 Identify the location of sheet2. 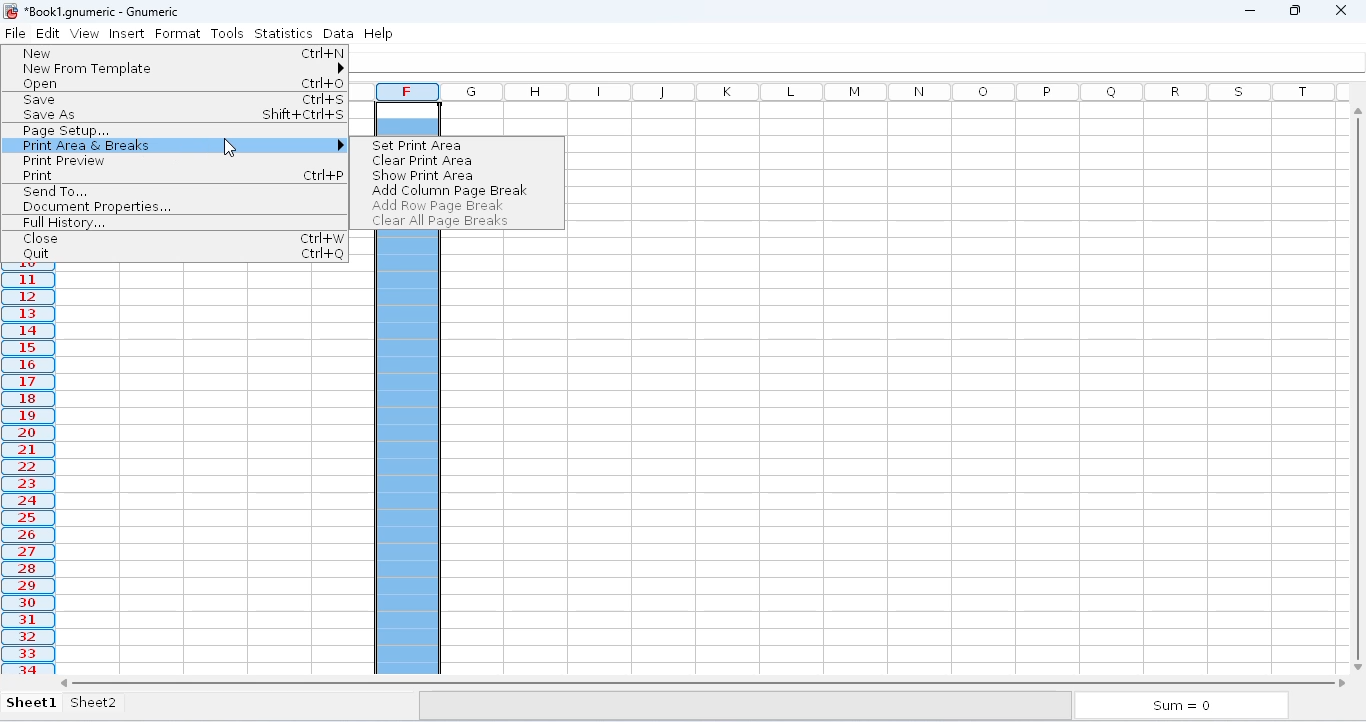
(110, 706).